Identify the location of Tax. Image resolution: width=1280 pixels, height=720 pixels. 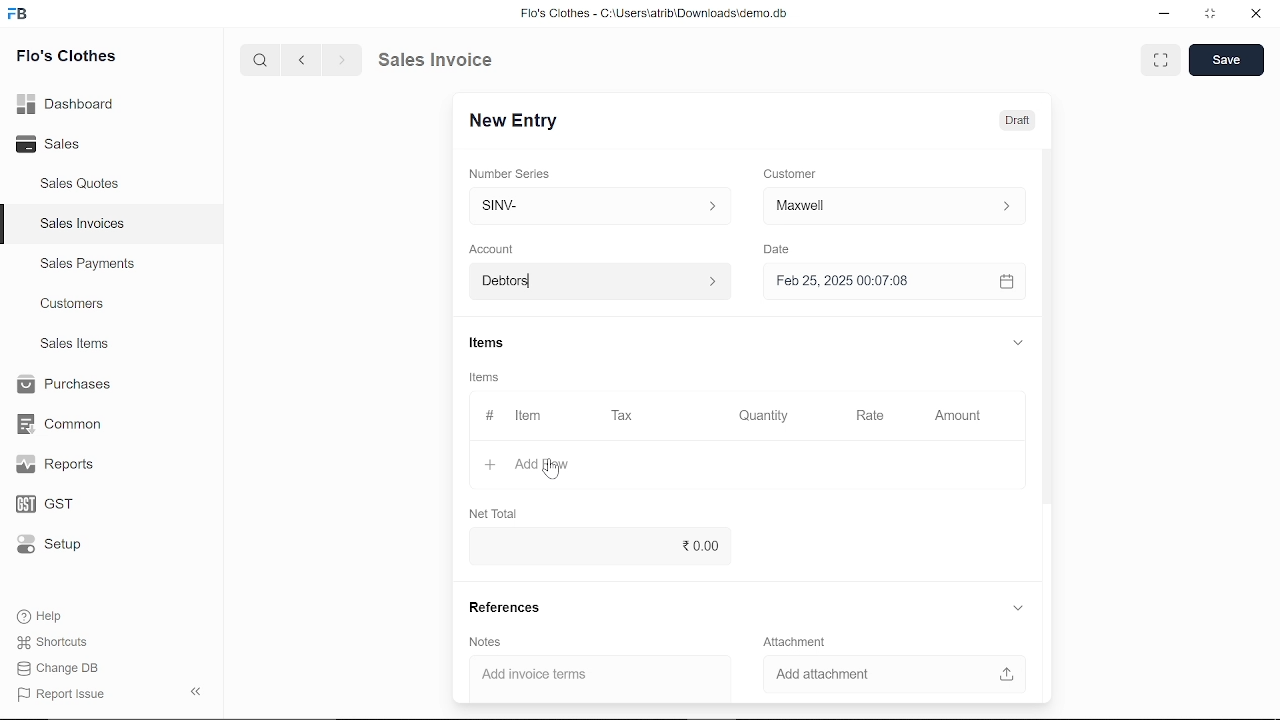
(623, 417).